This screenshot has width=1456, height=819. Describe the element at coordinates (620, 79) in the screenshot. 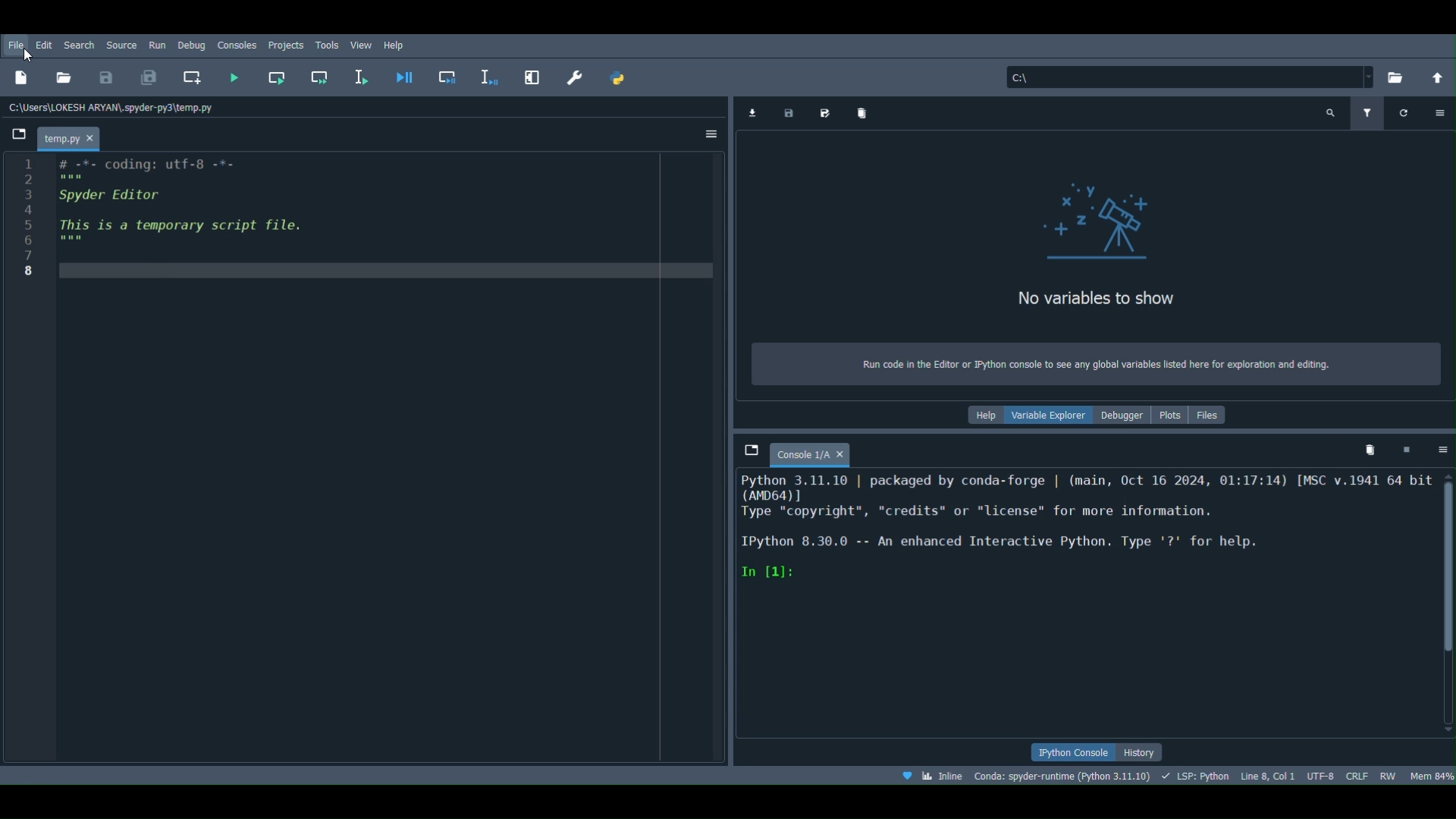

I see `PYTHONPATH manager` at that location.